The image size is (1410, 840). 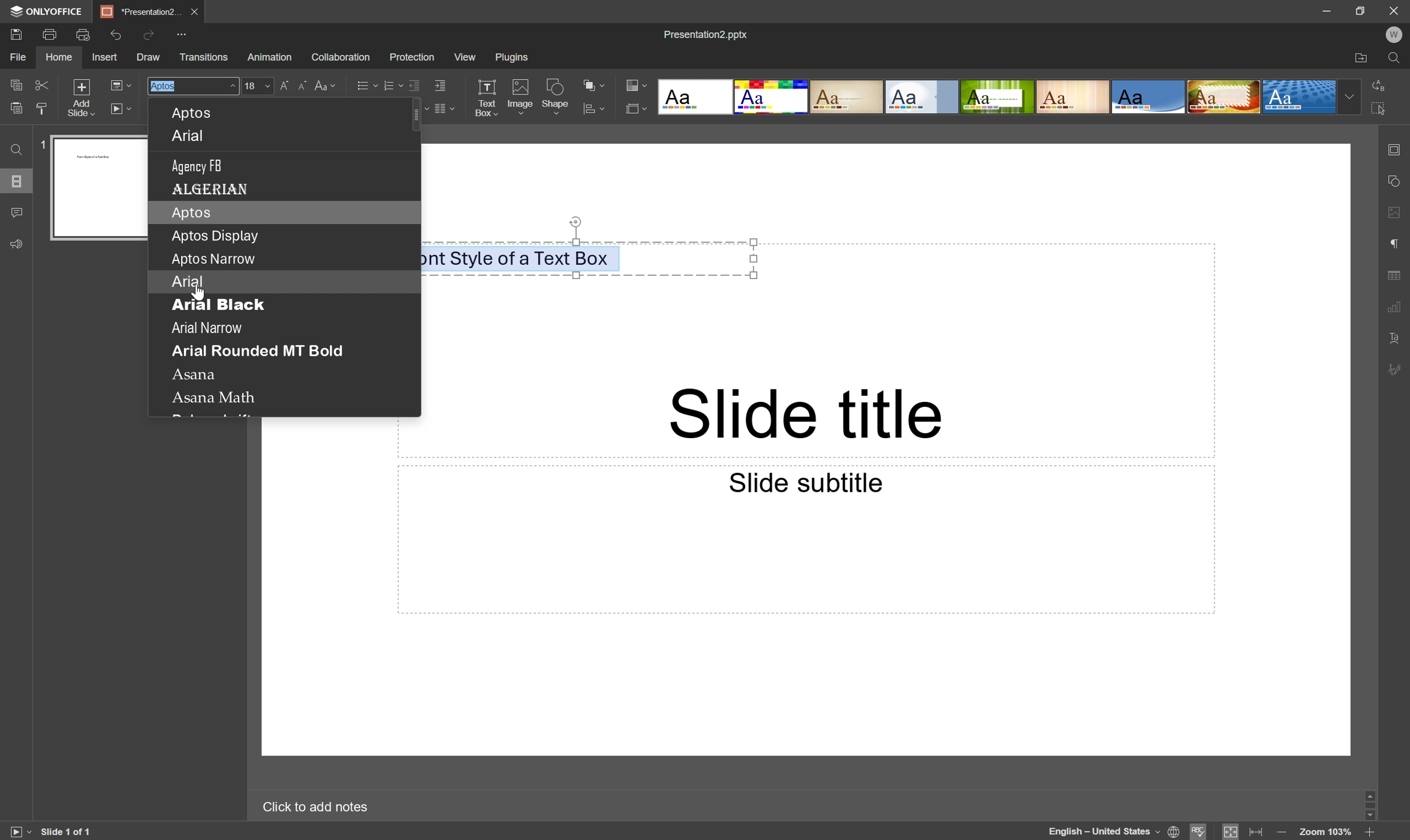 What do you see at coordinates (599, 108) in the screenshot?
I see `Align shape` at bounding box center [599, 108].